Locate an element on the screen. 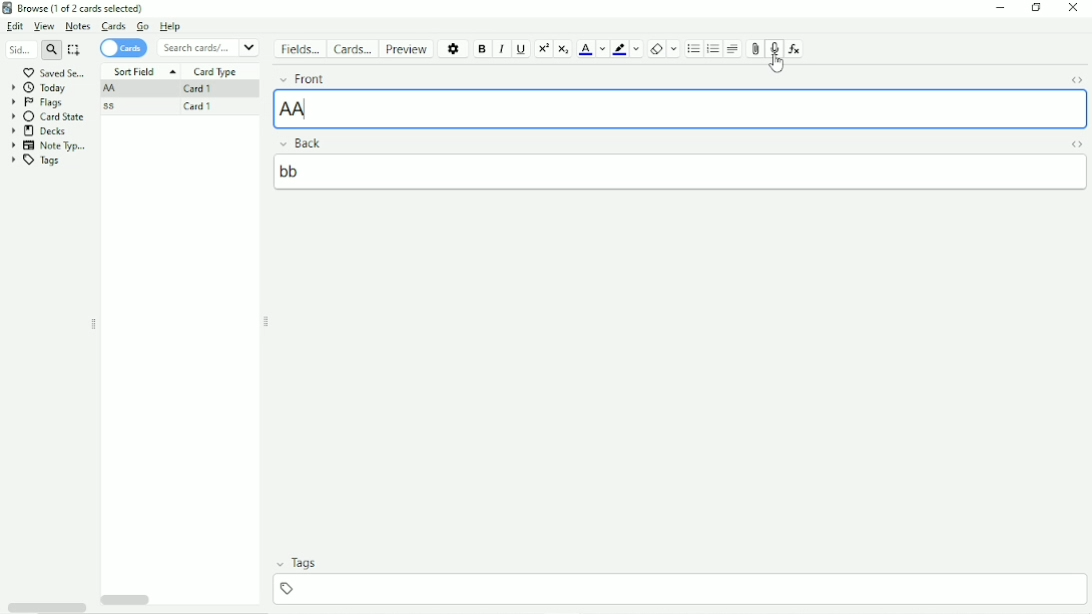 The height and width of the screenshot is (614, 1092). 'AA[sound:rec1731657651.mp3] is located at coordinates (680, 110).